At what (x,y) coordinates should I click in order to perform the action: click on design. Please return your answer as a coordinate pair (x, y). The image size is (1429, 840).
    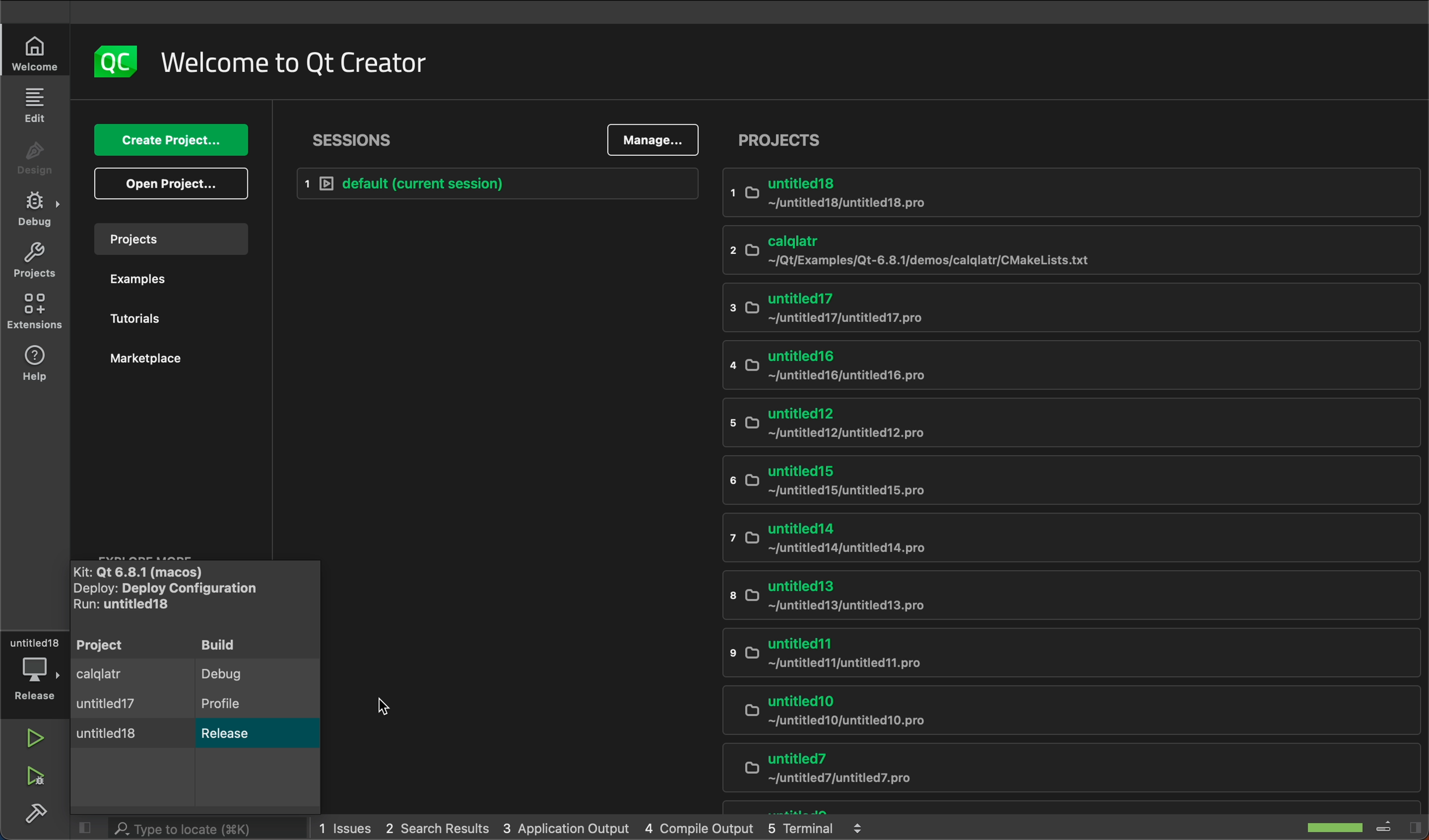
    Looking at the image, I should click on (35, 162).